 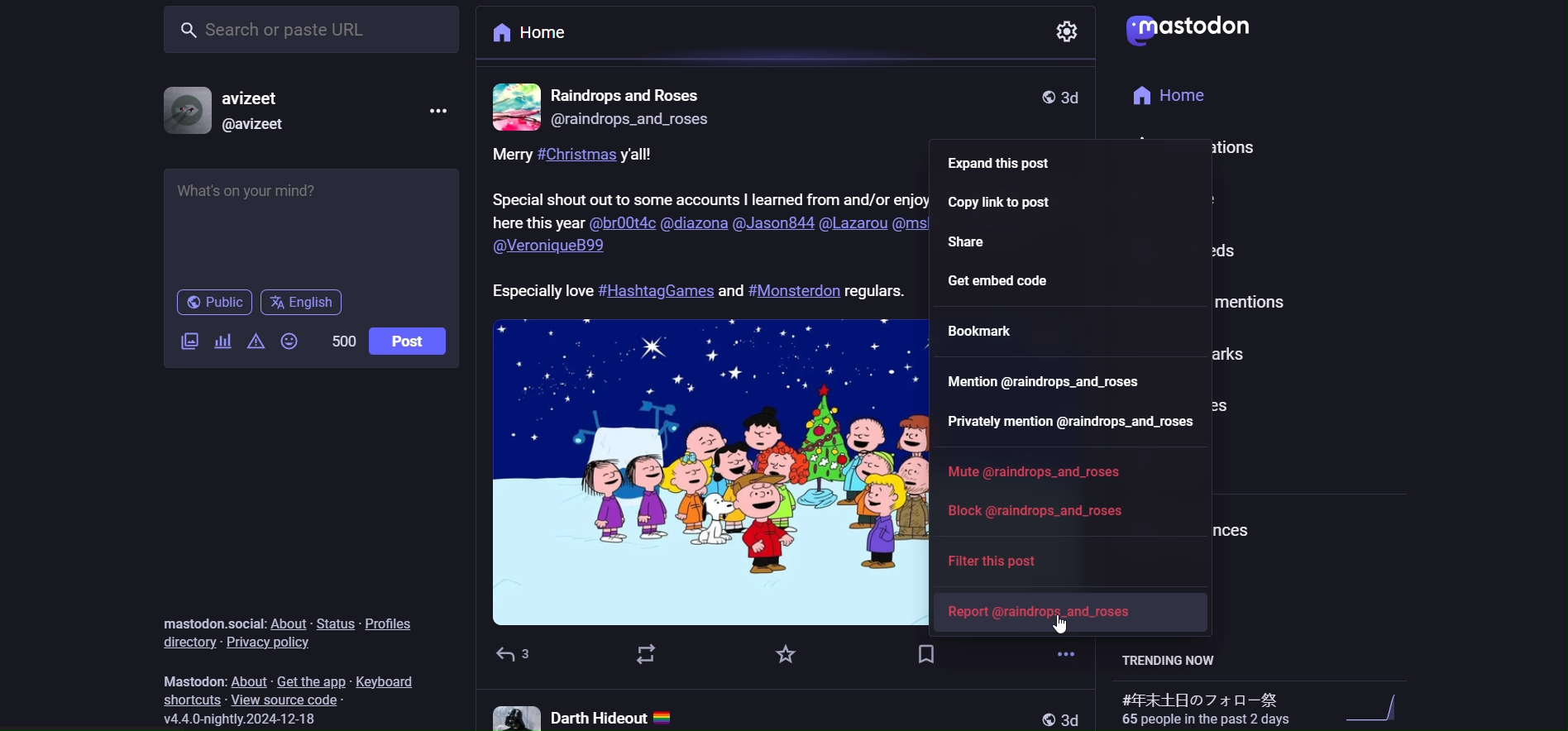 I want to click on emoji, so click(x=291, y=341).